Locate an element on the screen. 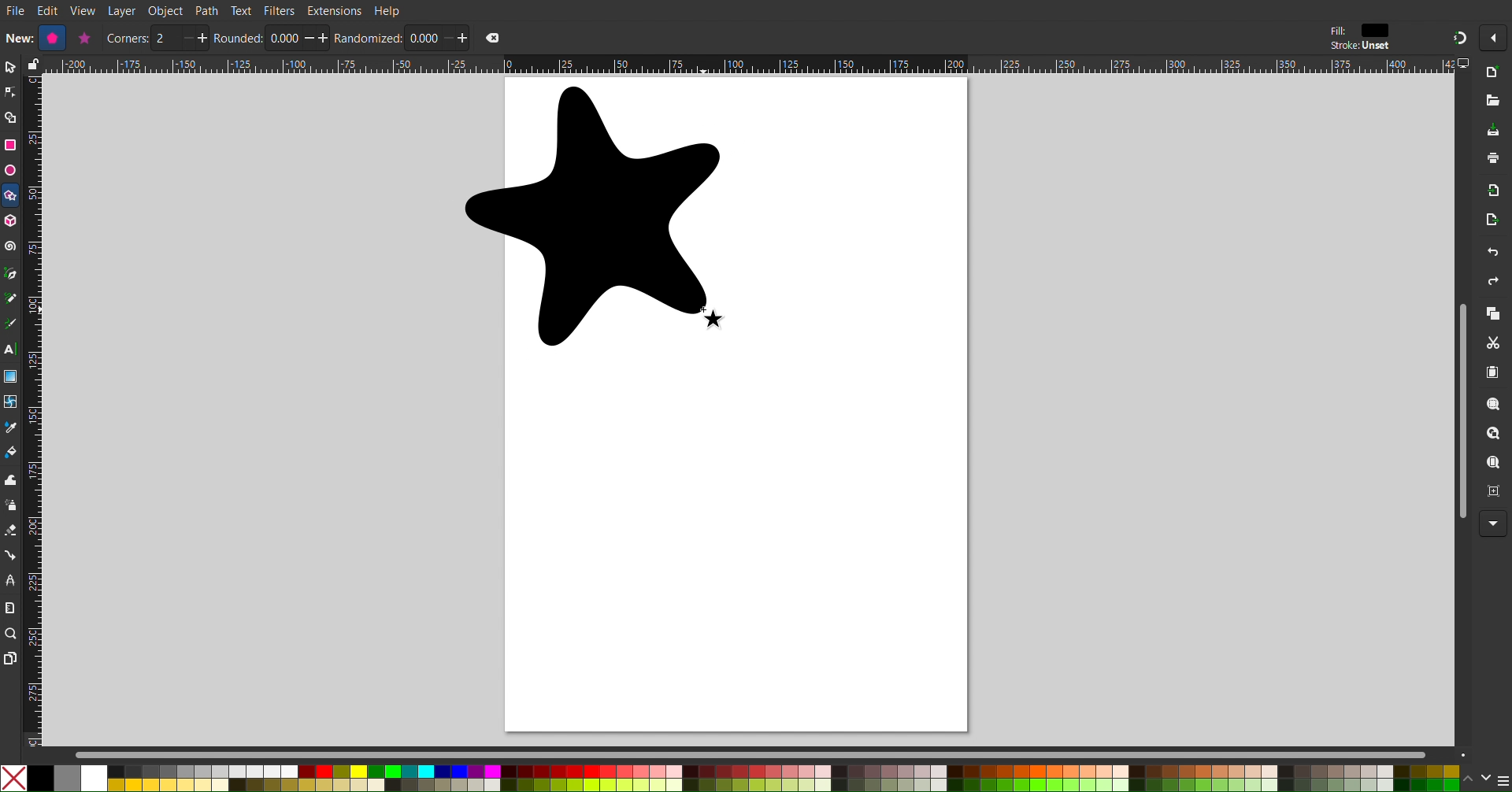 The width and height of the screenshot is (1512, 792). Help is located at coordinates (388, 10).